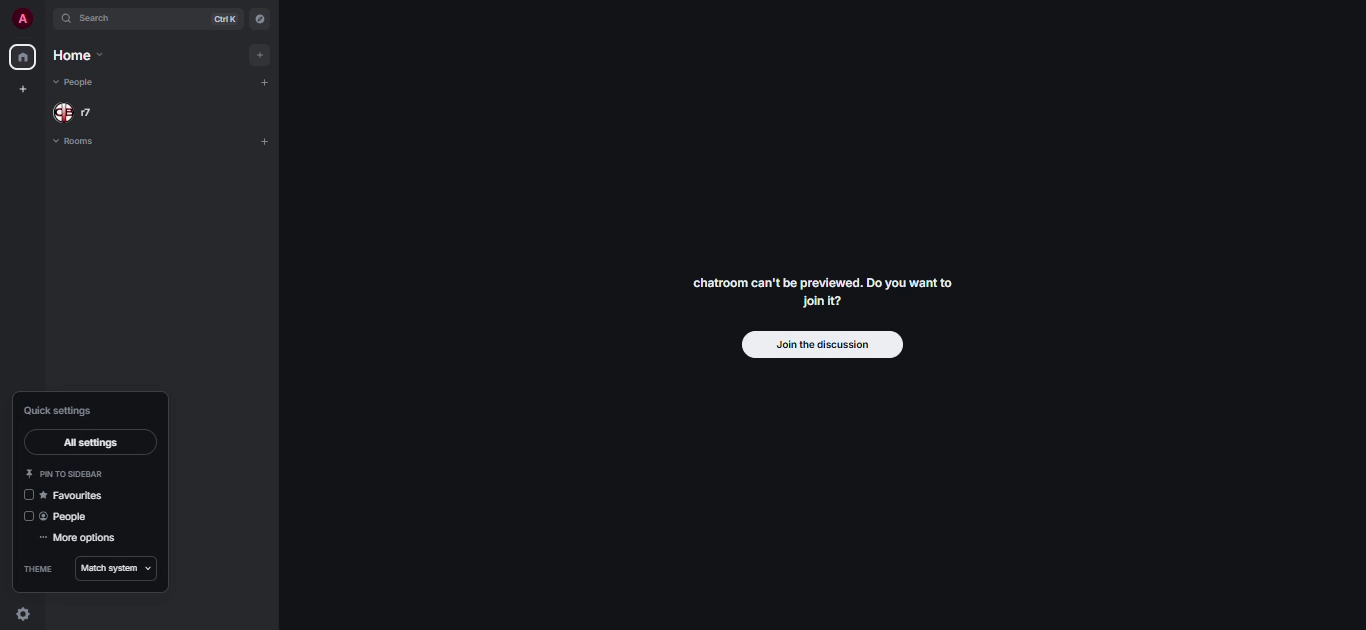  Describe the element at coordinates (822, 345) in the screenshot. I see `join the discussion` at that location.